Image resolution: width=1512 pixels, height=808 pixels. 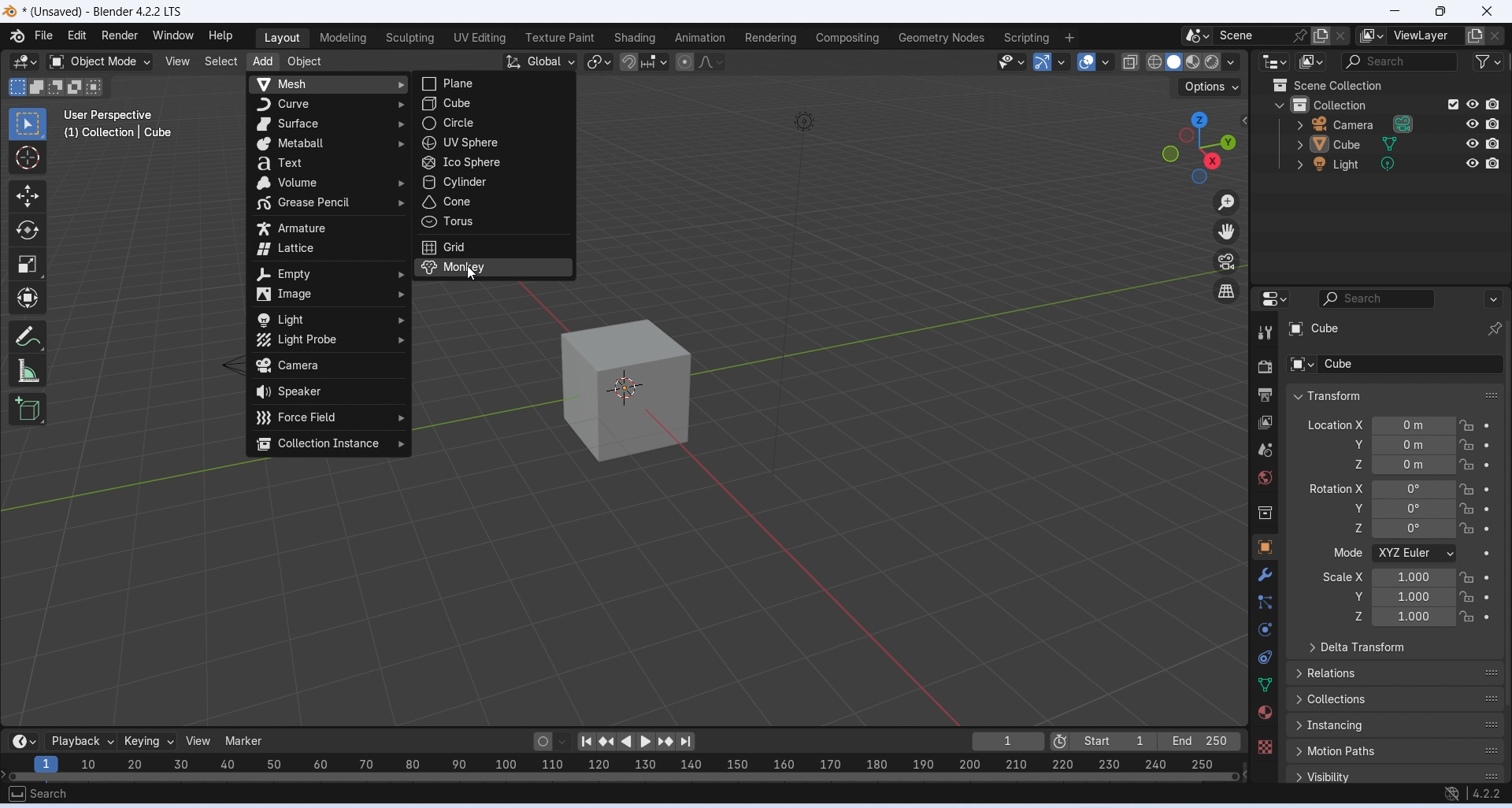 I want to click on add view layer, so click(x=1475, y=35).